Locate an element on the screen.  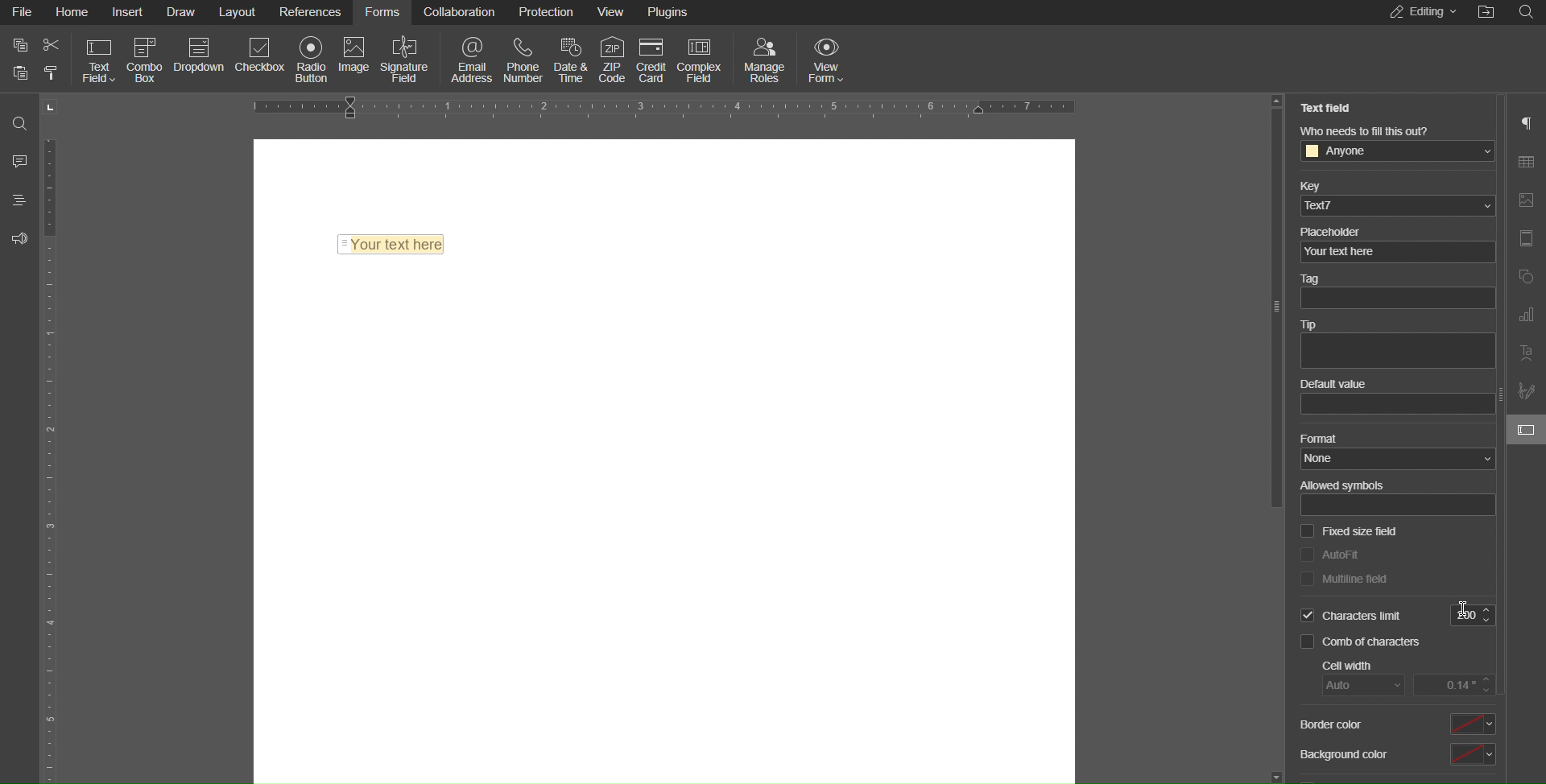
Who needs to fill this out is located at coordinates (1401, 143).